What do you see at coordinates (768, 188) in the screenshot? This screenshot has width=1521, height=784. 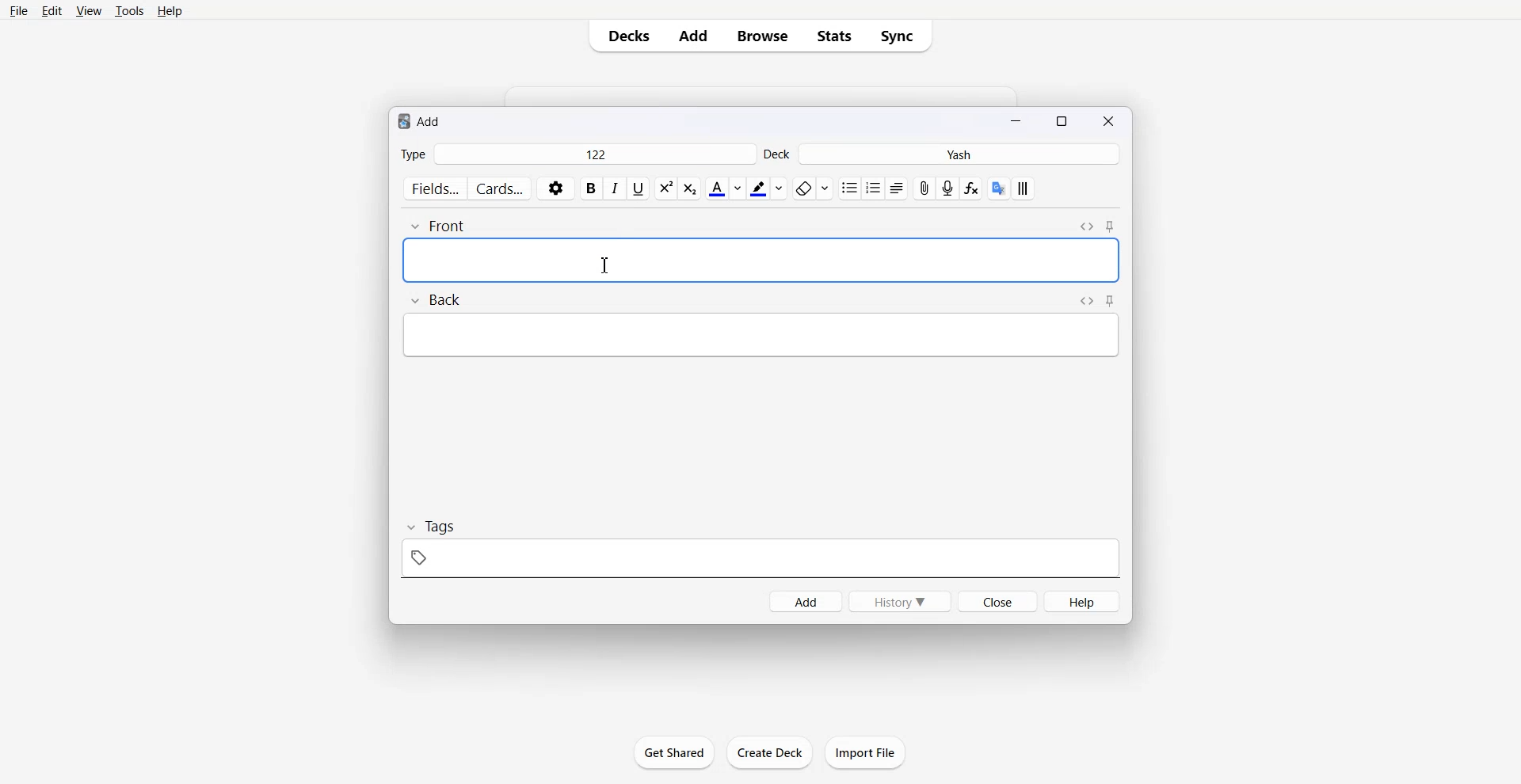 I see `Highlight text color` at bounding box center [768, 188].